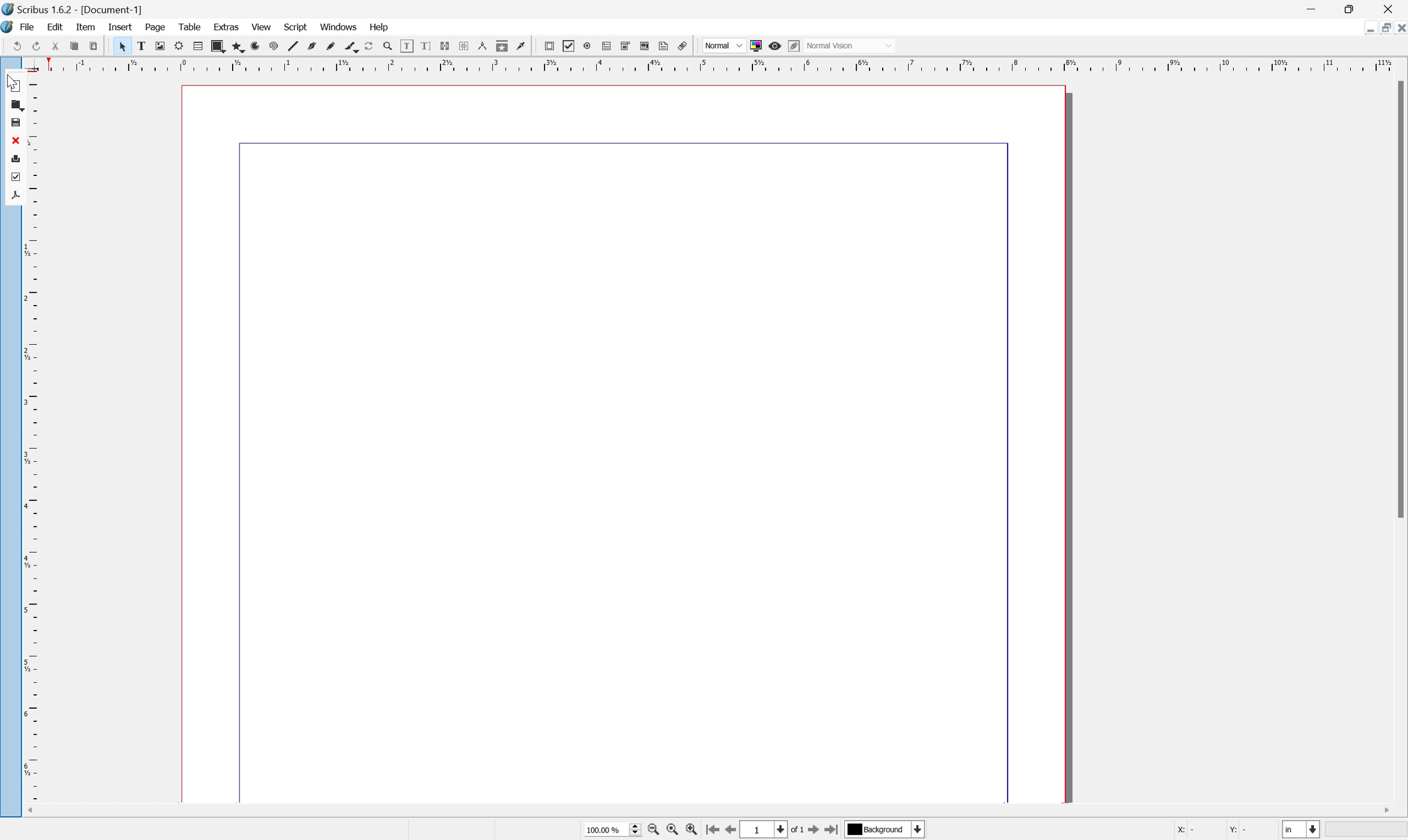 This screenshot has height=840, width=1408. What do you see at coordinates (711, 63) in the screenshot?
I see `rule` at bounding box center [711, 63].